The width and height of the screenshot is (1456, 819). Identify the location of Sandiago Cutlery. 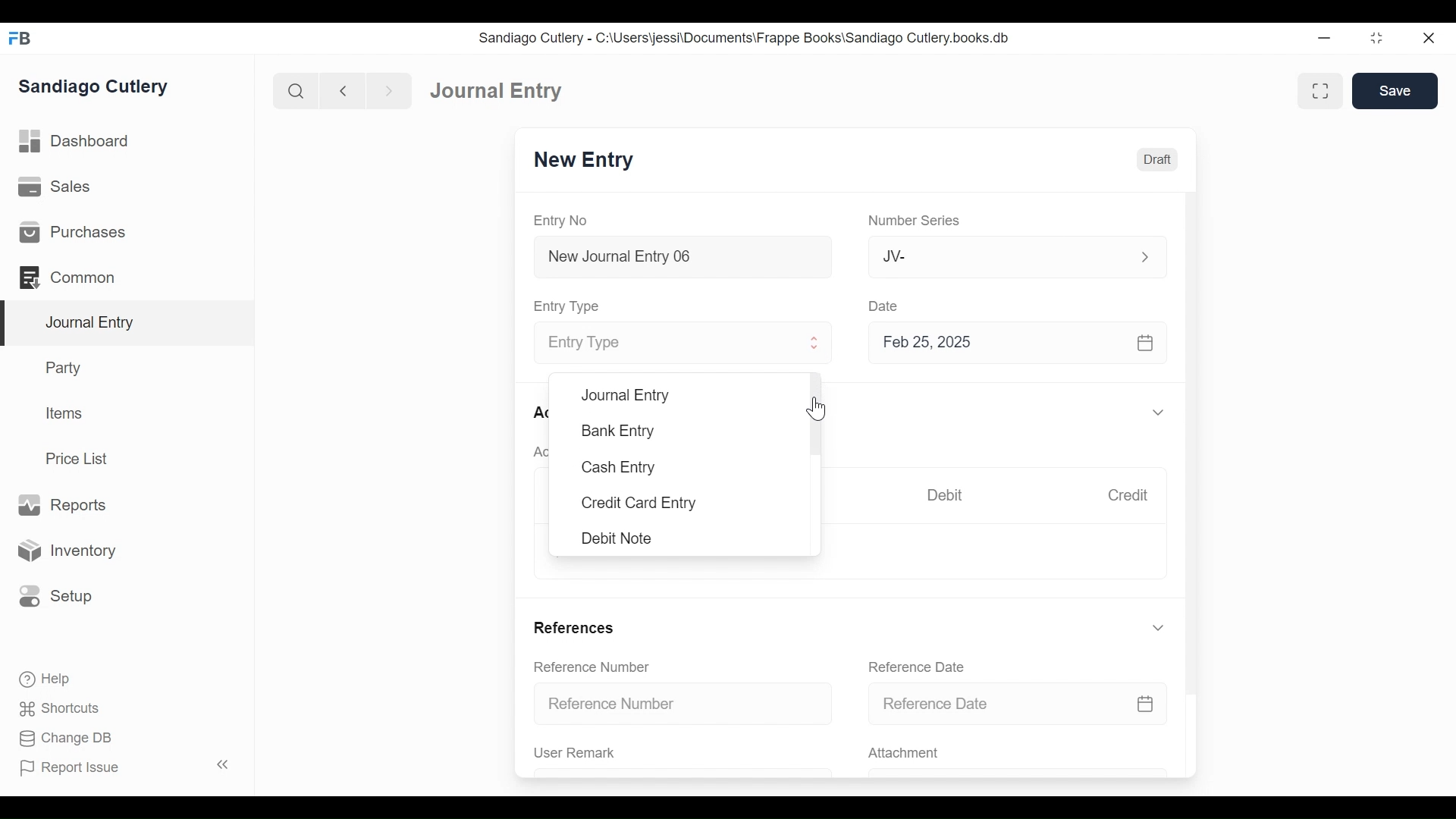
(96, 87).